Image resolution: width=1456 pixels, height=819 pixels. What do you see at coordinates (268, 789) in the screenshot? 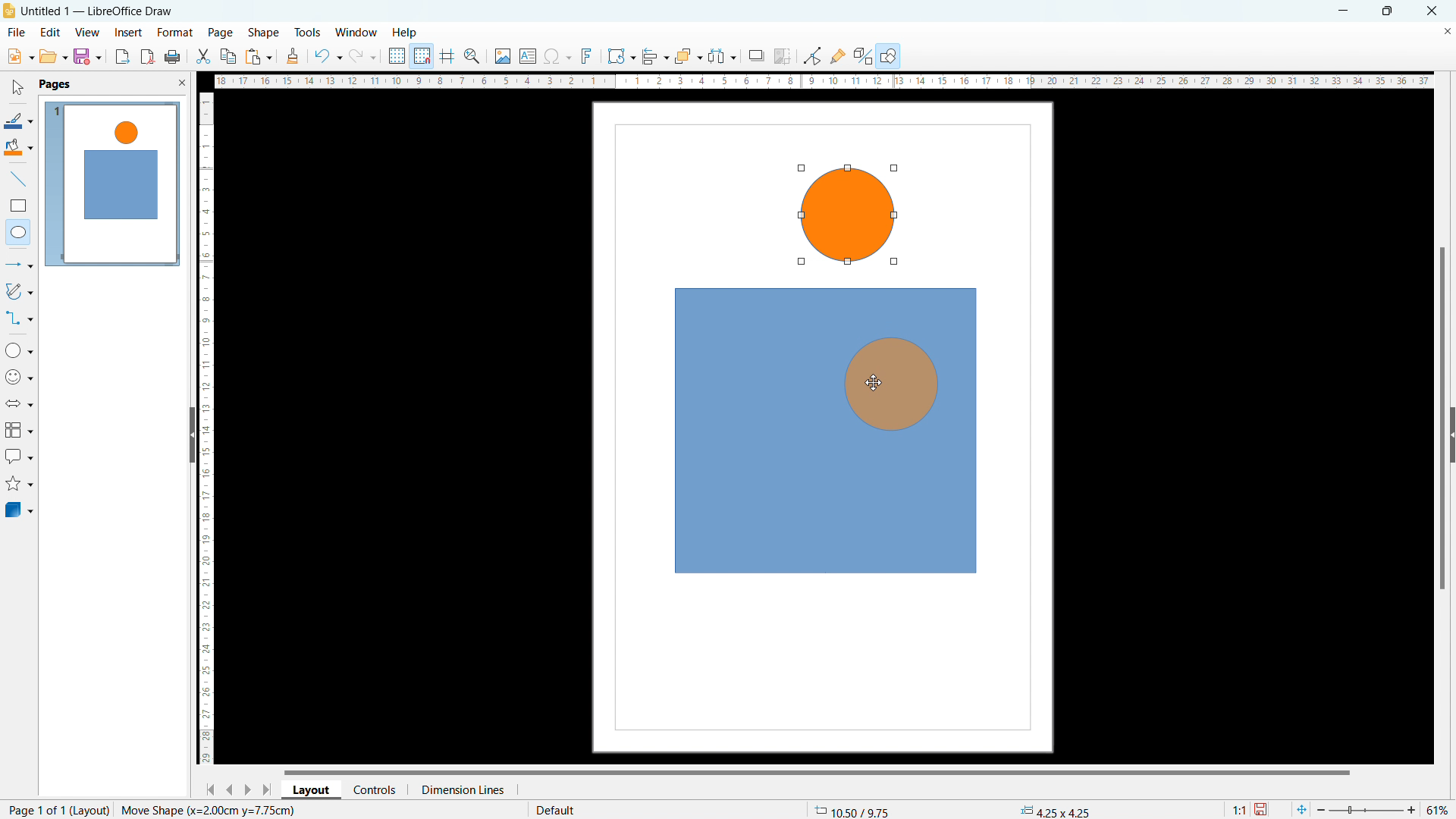
I see `go to last page` at bounding box center [268, 789].